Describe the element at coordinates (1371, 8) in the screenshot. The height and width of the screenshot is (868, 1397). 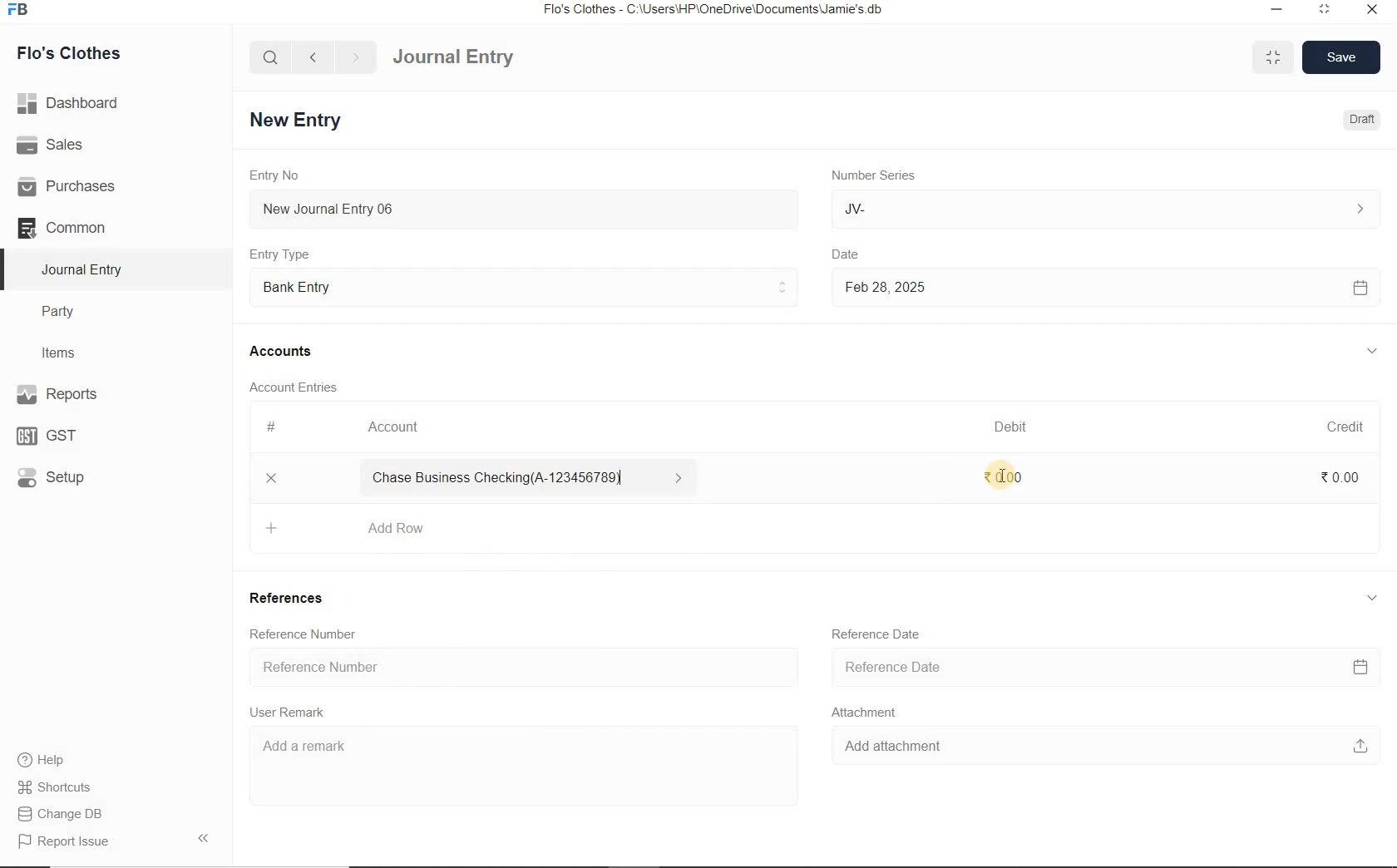
I see `close` at that location.